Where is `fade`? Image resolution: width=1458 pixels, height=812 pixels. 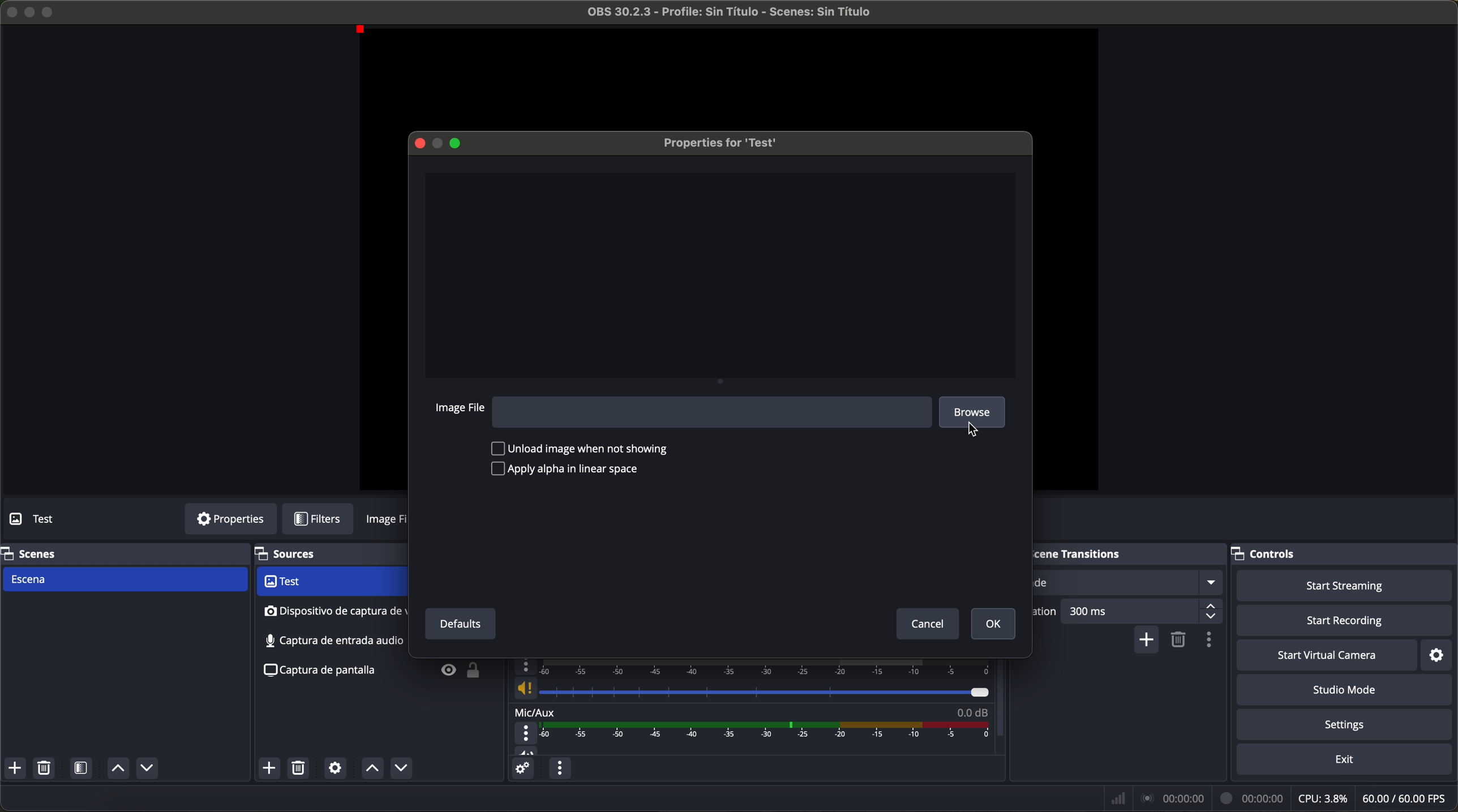 fade is located at coordinates (1128, 582).